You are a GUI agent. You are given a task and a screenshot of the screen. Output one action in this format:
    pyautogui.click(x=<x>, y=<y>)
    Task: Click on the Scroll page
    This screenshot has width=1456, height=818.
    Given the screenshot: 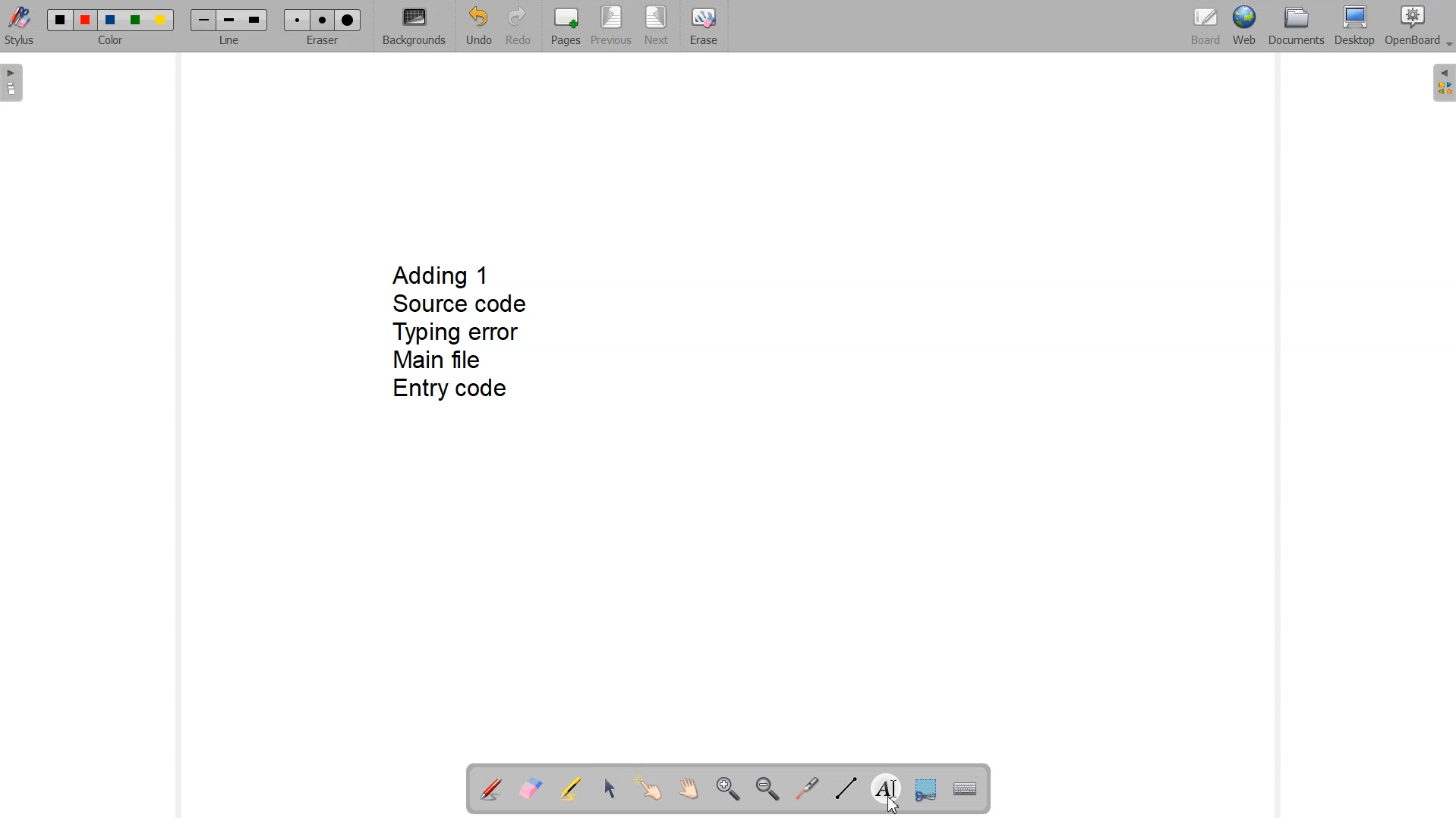 What is the action you would take?
    pyautogui.click(x=689, y=790)
    